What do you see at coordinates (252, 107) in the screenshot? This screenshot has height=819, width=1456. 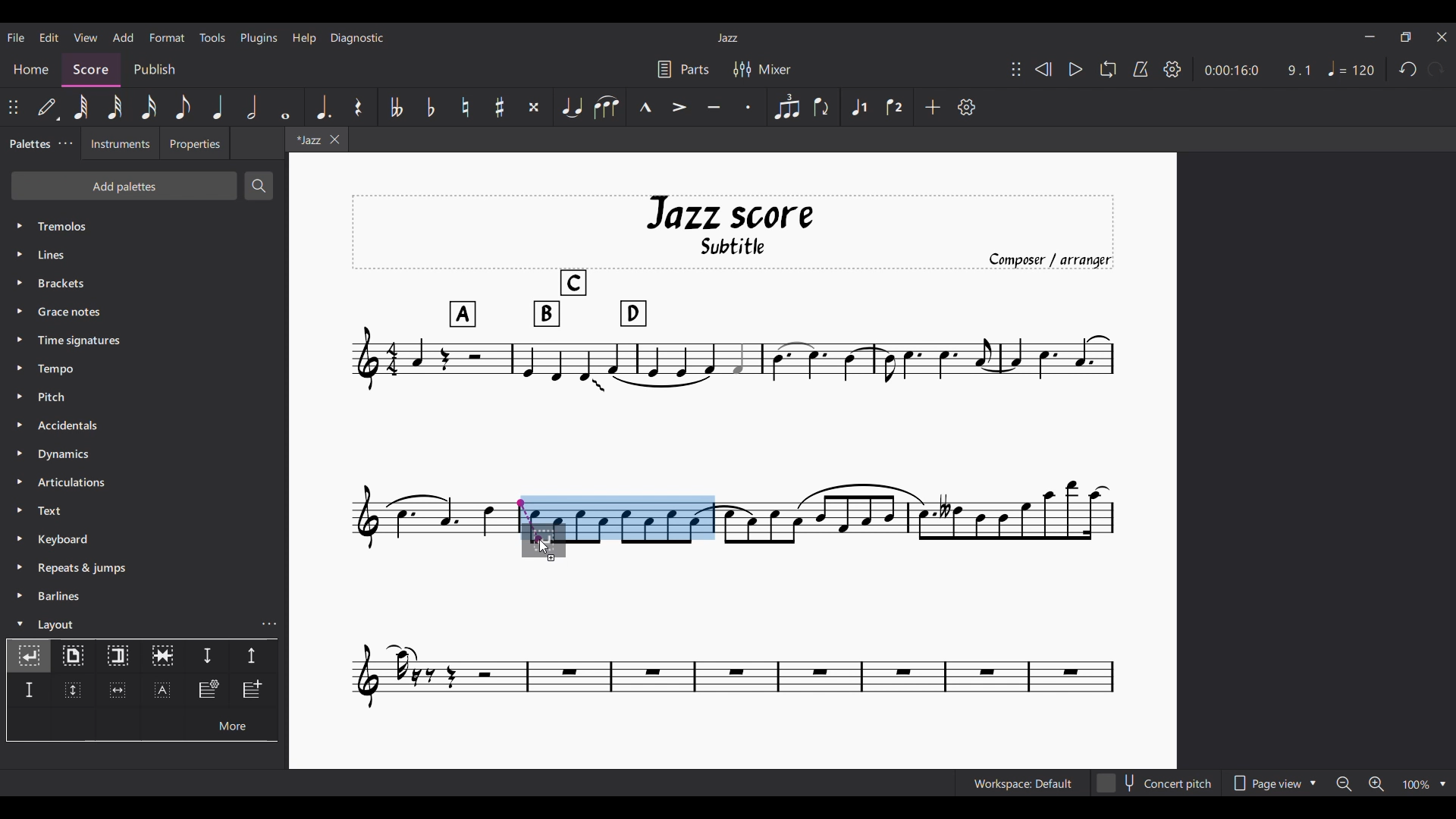 I see `Half note` at bounding box center [252, 107].